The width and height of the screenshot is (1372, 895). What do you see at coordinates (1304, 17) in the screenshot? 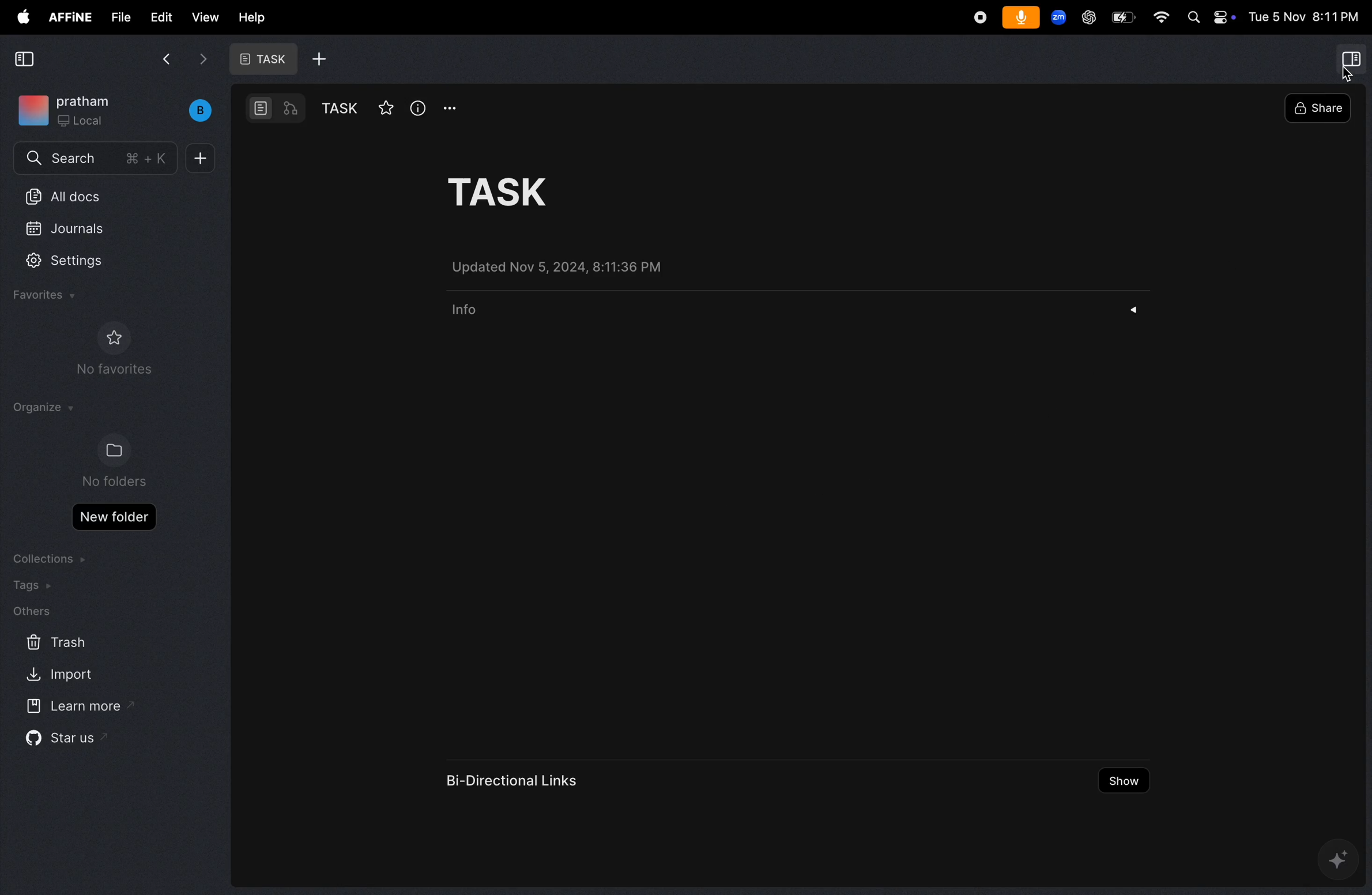
I see `date and time` at bounding box center [1304, 17].